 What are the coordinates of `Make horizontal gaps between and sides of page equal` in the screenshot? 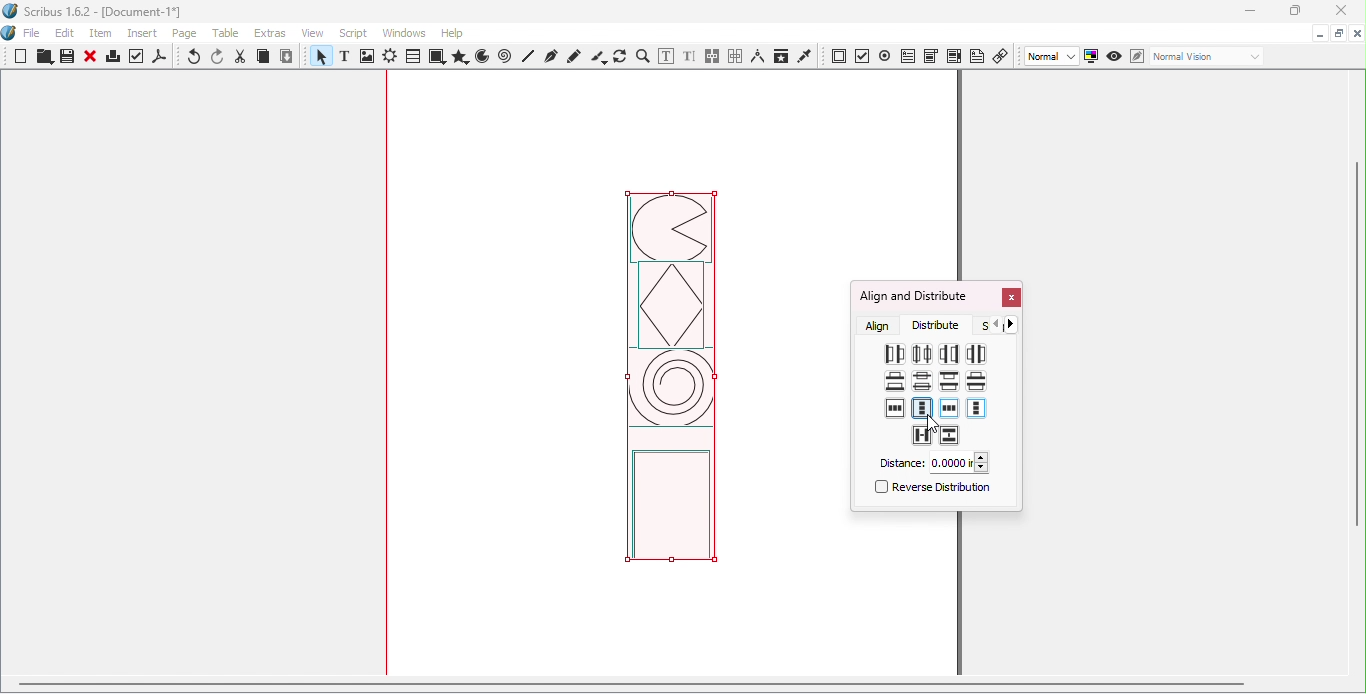 It's located at (896, 408).